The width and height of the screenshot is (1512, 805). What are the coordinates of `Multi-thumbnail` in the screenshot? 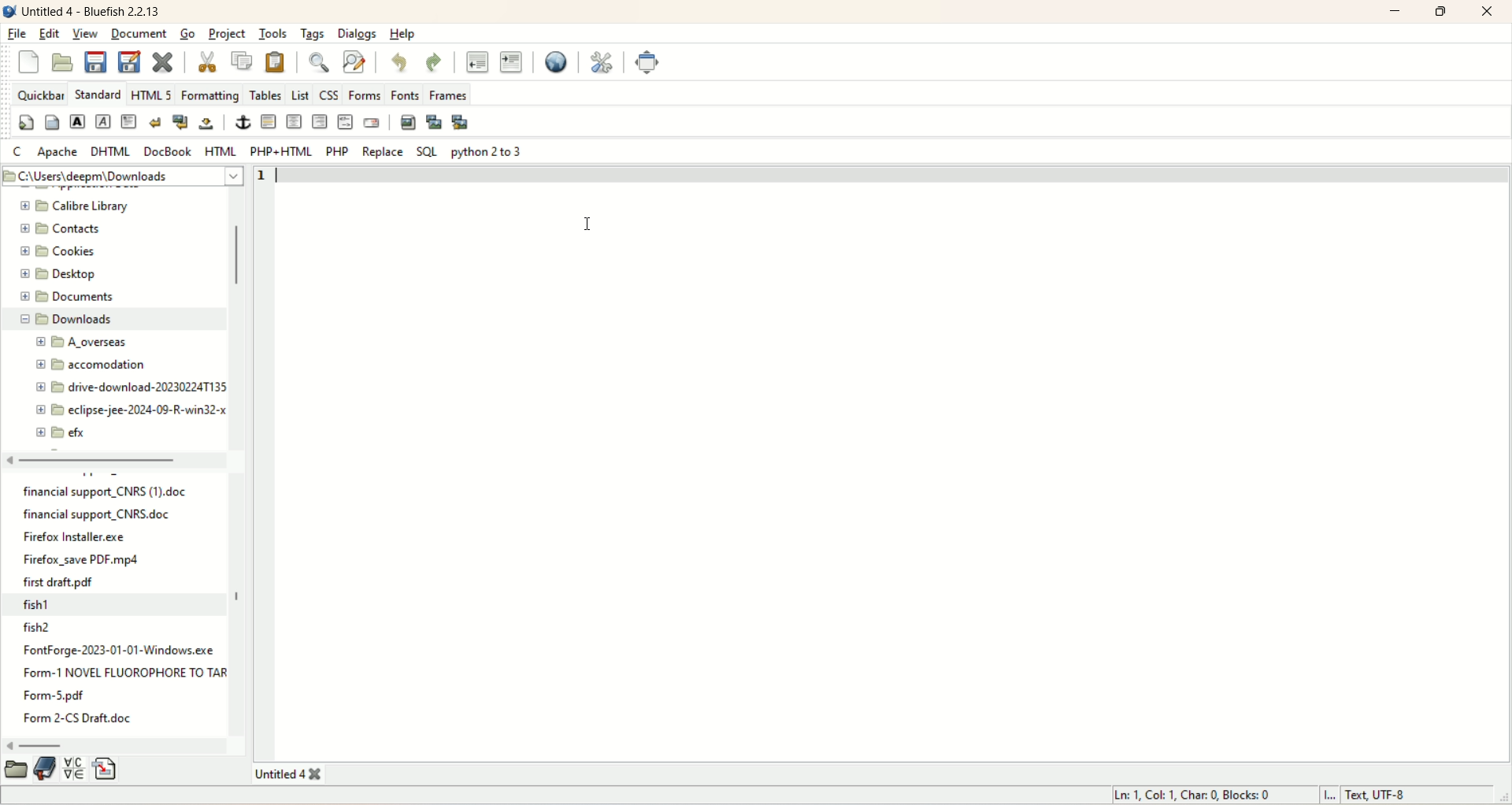 It's located at (463, 124).